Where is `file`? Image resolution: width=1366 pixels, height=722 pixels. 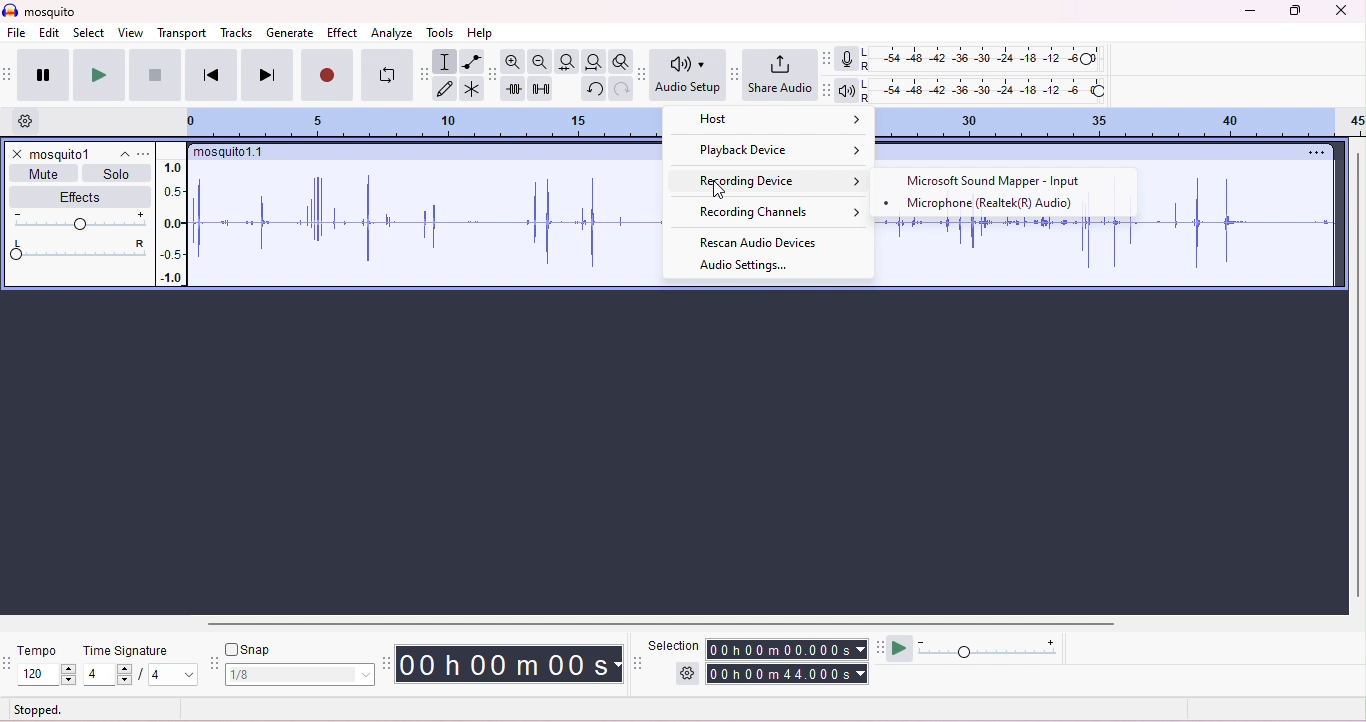 file is located at coordinates (17, 34).